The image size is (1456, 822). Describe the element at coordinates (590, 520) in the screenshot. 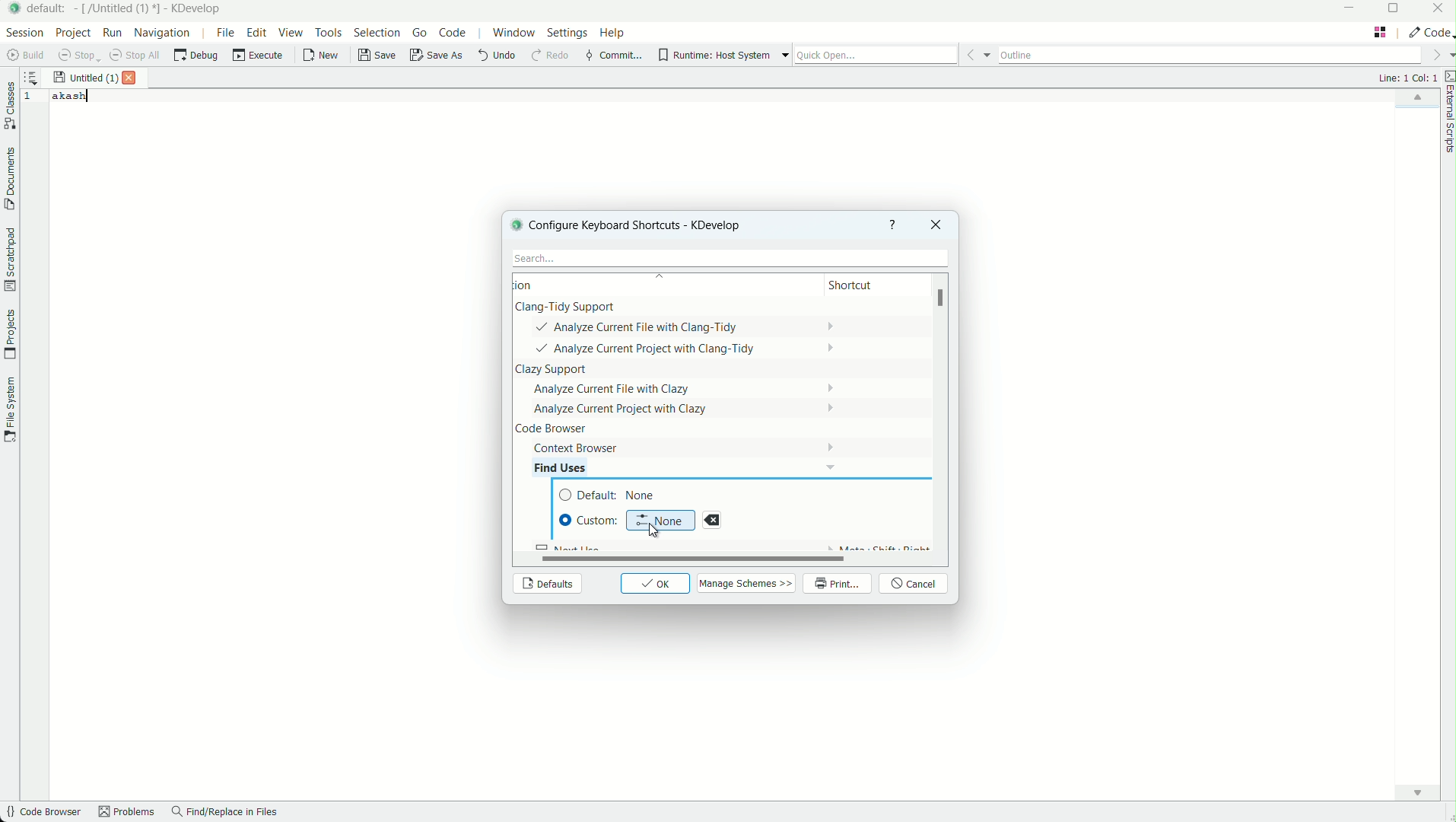

I see `Custom Shortcut` at that location.